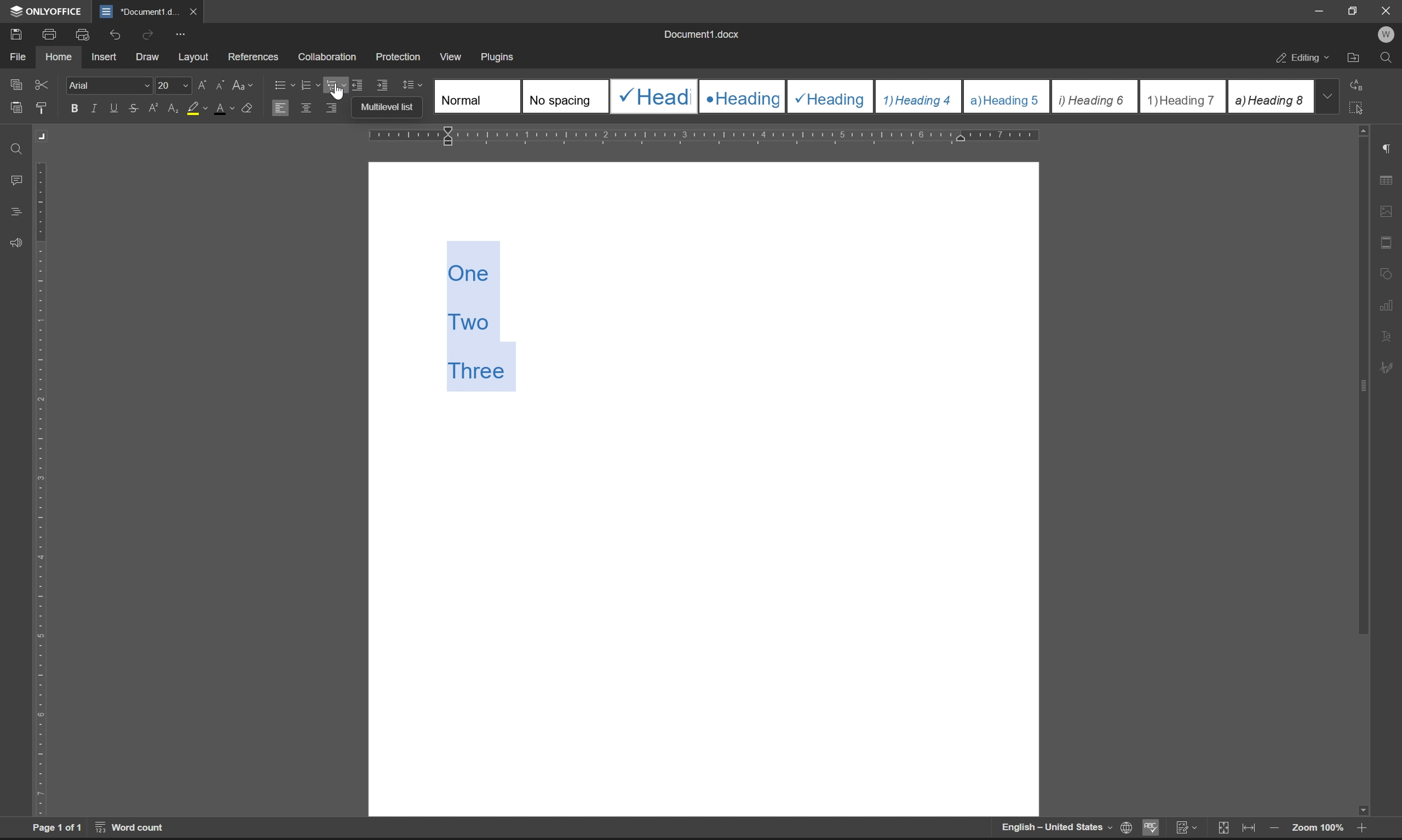 The width and height of the screenshot is (1402, 840). What do you see at coordinates (478, 96) in the screenshot?
I see `Normal` at bounding box center [478, 96].